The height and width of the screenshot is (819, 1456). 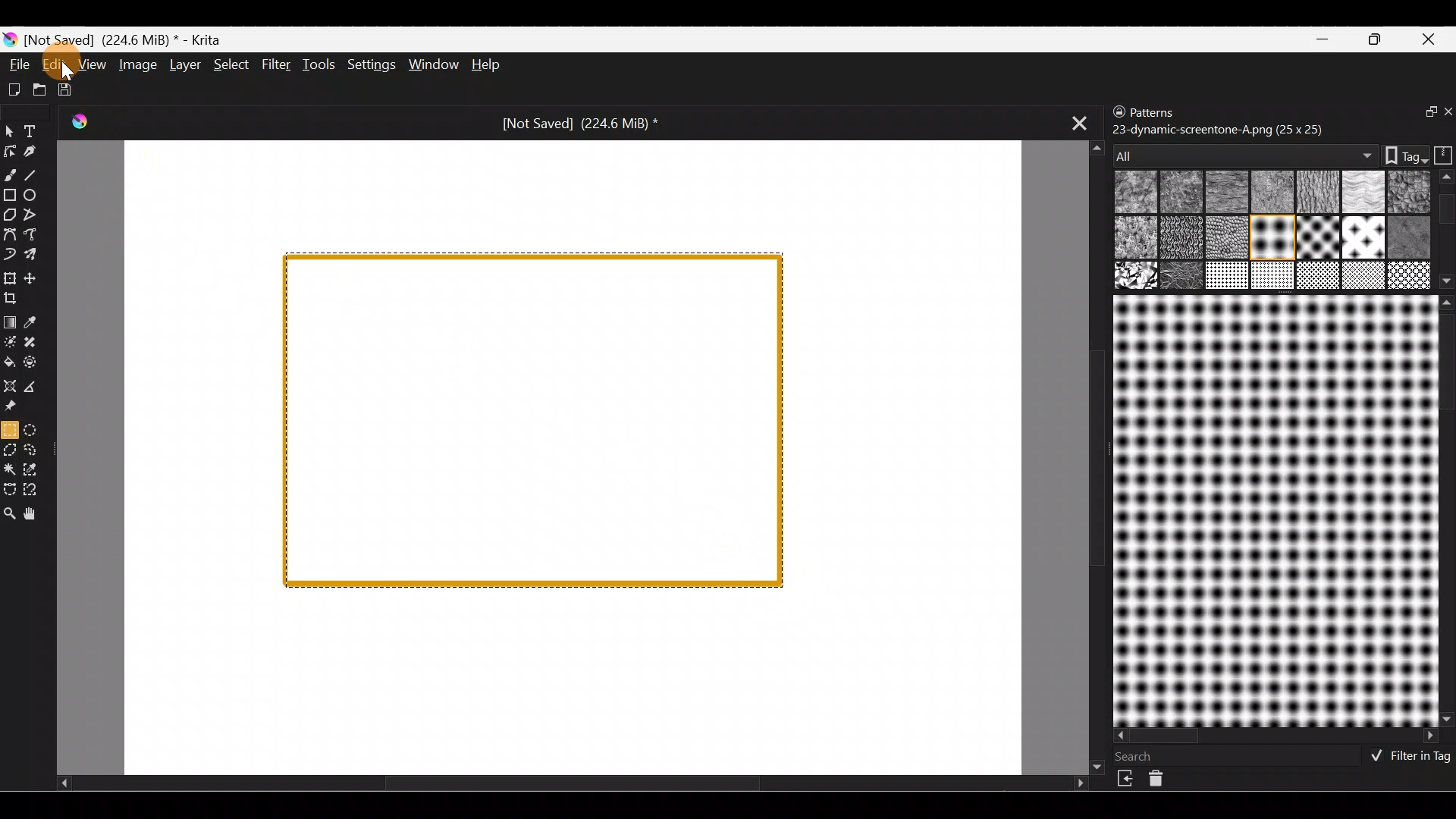 I want to click on Search, so click(x=1143, y=756).